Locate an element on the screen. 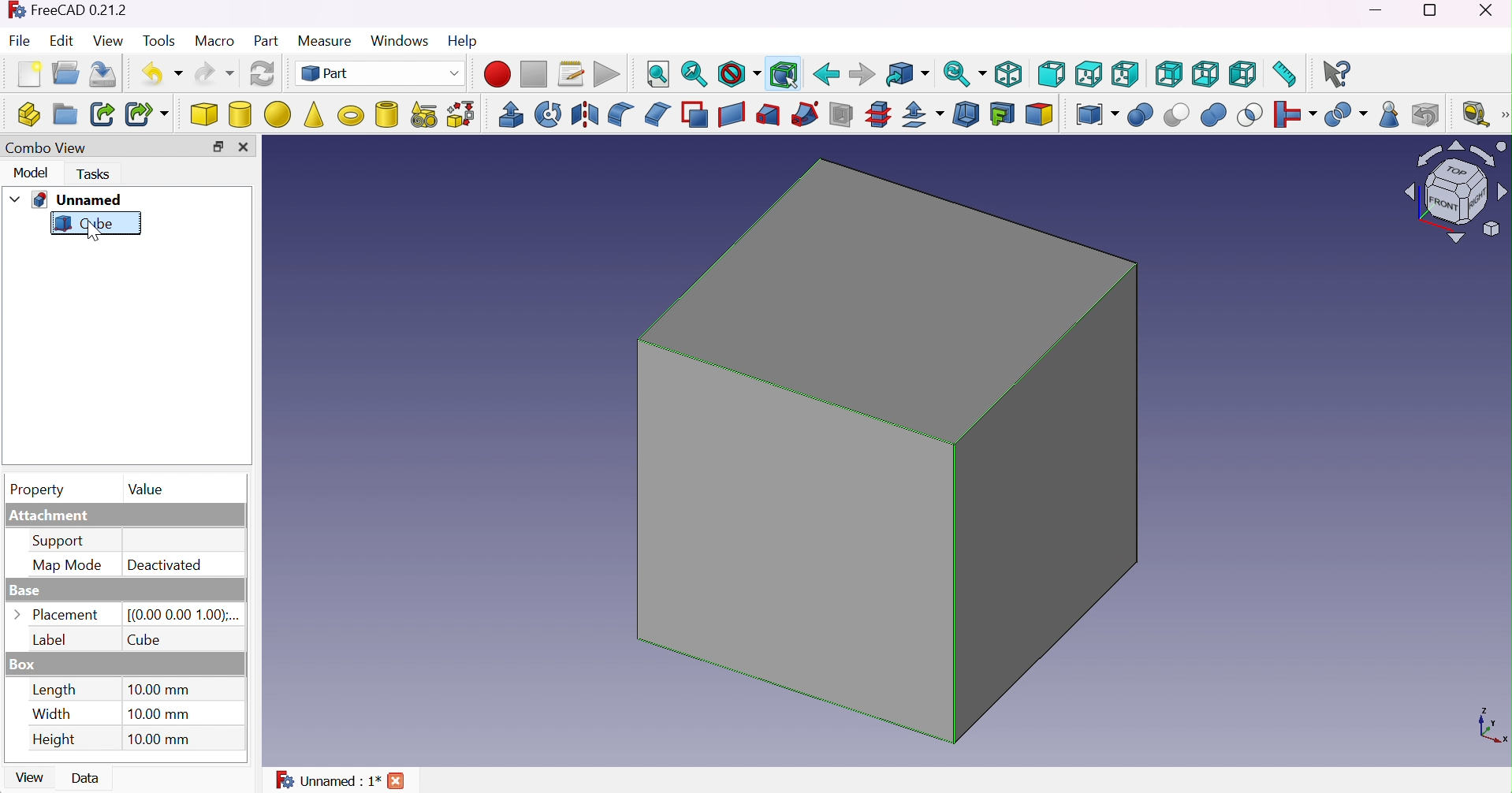 Image resolution: width=1512 pixels, height=793 pixels. Shape builder is located at coordinates (462, 114).